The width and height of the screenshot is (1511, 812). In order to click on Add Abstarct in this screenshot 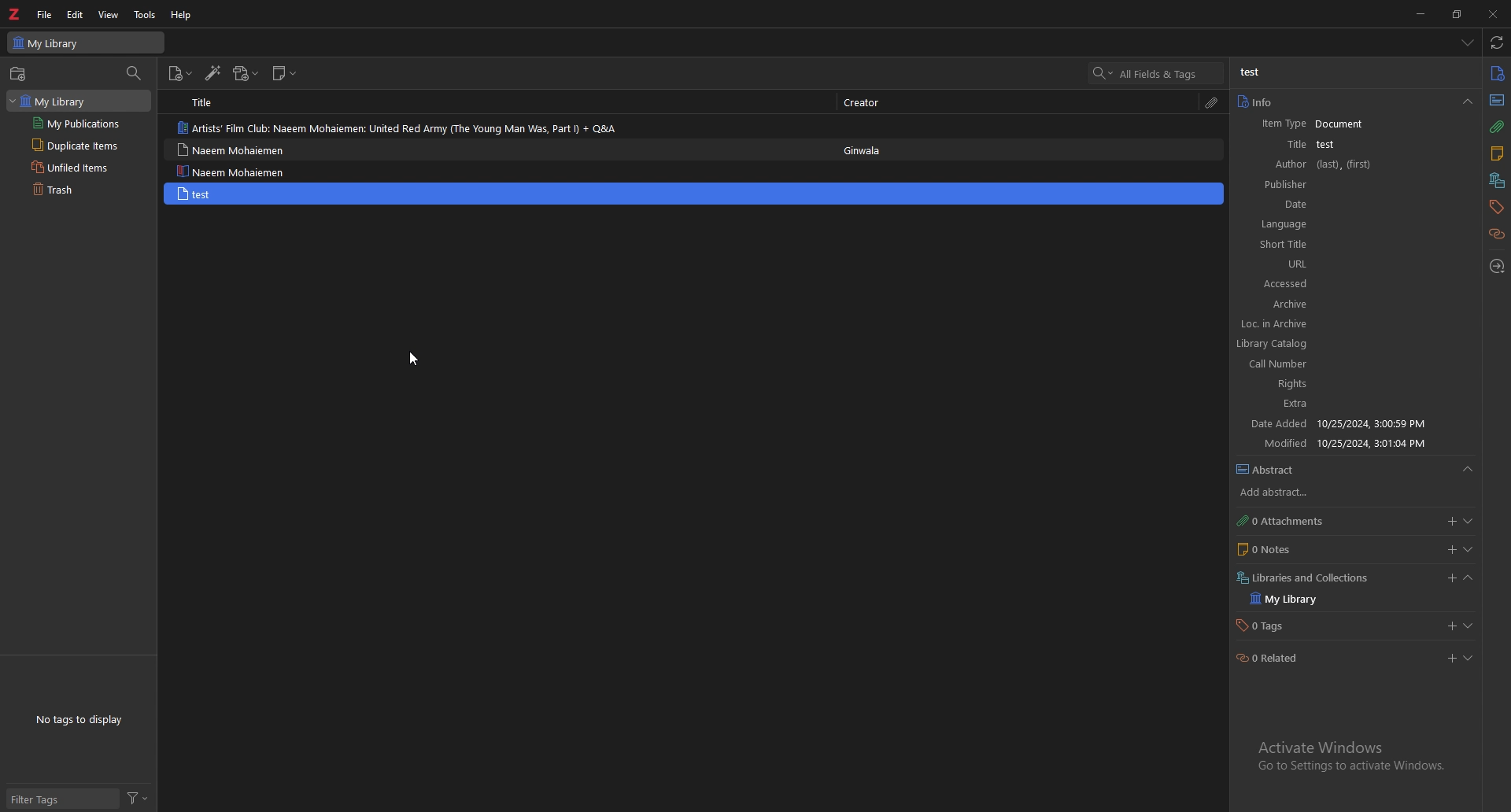, I will do `click(1271, 492)`.